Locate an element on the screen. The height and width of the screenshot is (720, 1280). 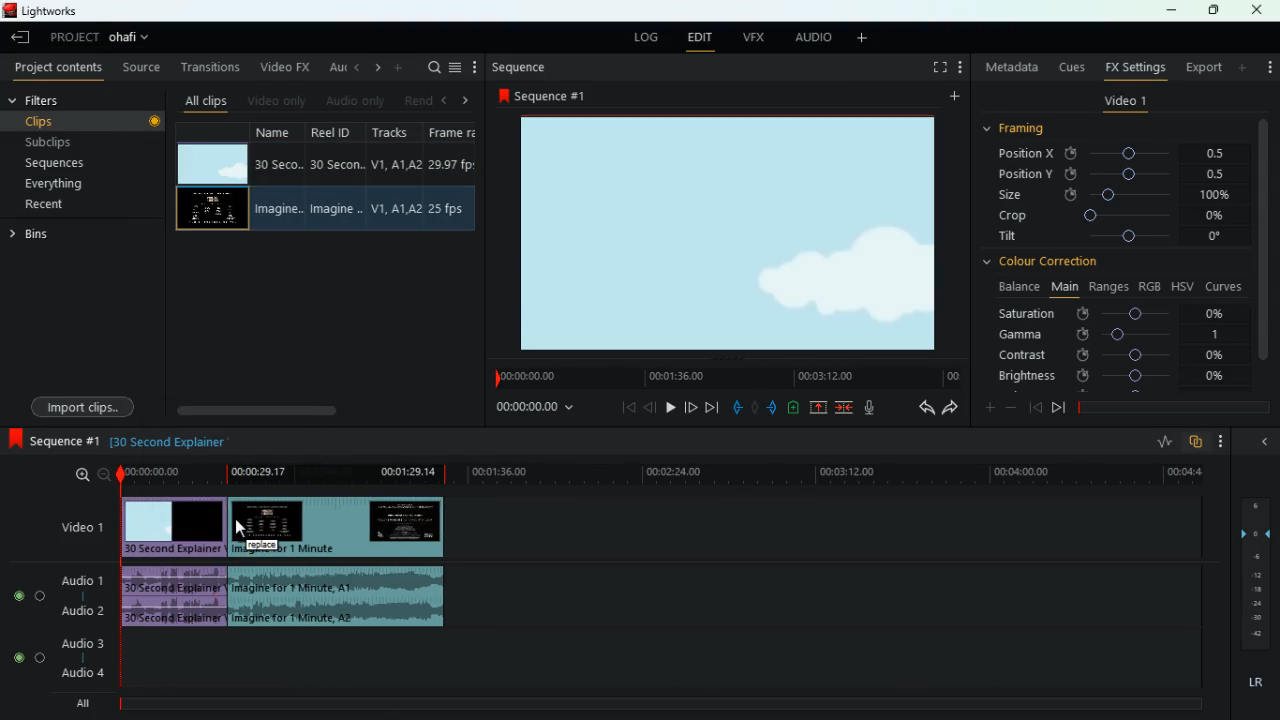
time frame is located at coordinates (1174, 408).